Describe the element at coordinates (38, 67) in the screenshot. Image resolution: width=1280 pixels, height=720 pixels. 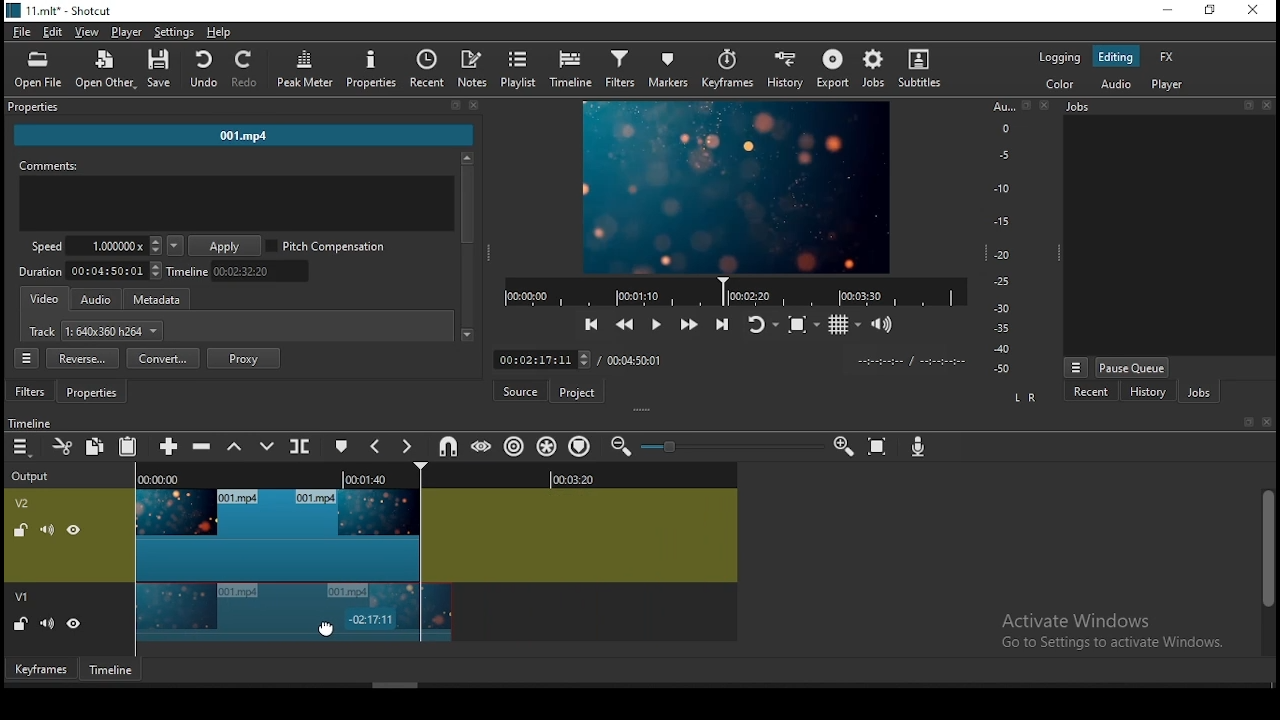
I see `open file` at that location.